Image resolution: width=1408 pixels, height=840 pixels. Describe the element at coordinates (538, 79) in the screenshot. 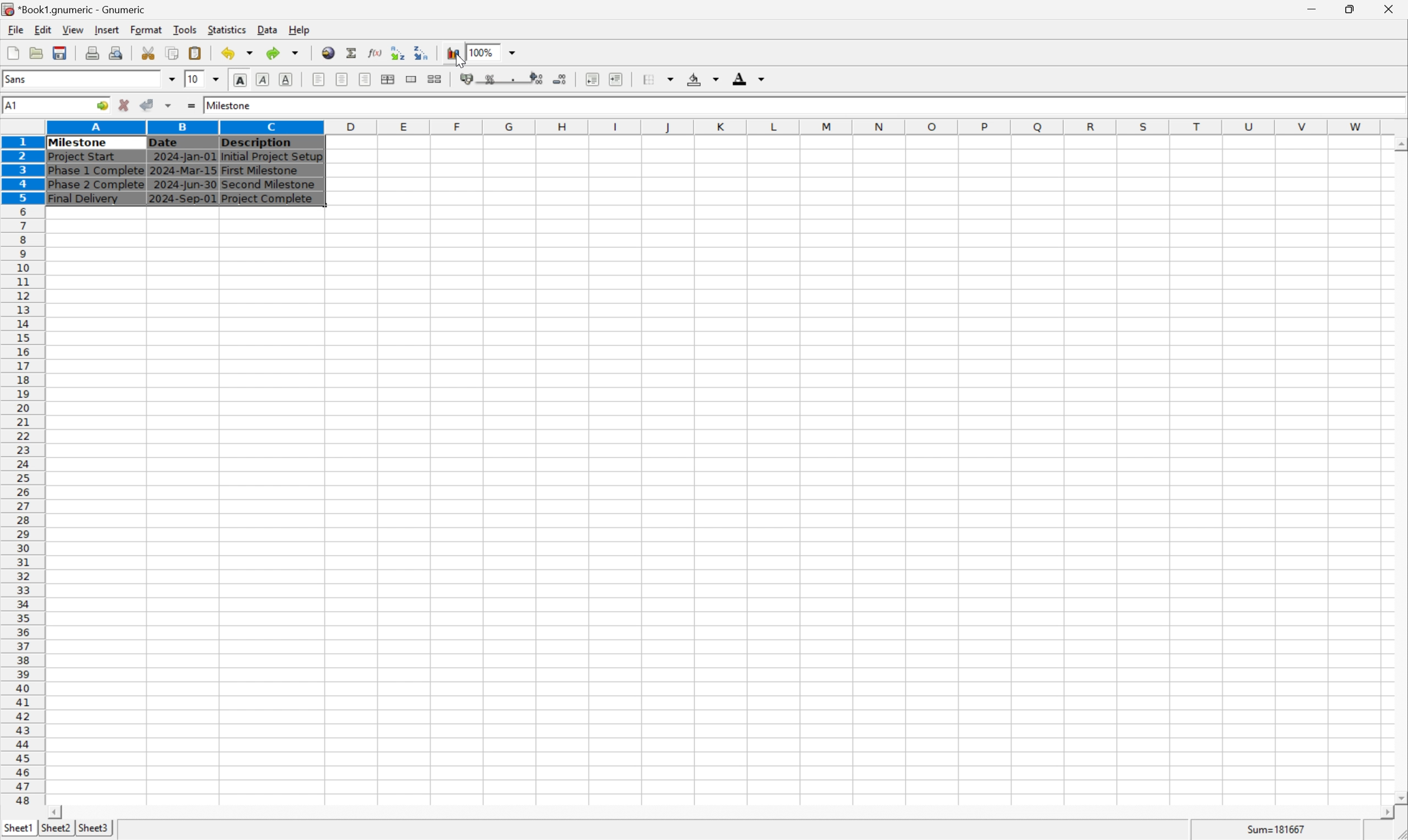

I see `increase number of decimals displayed` at that location.